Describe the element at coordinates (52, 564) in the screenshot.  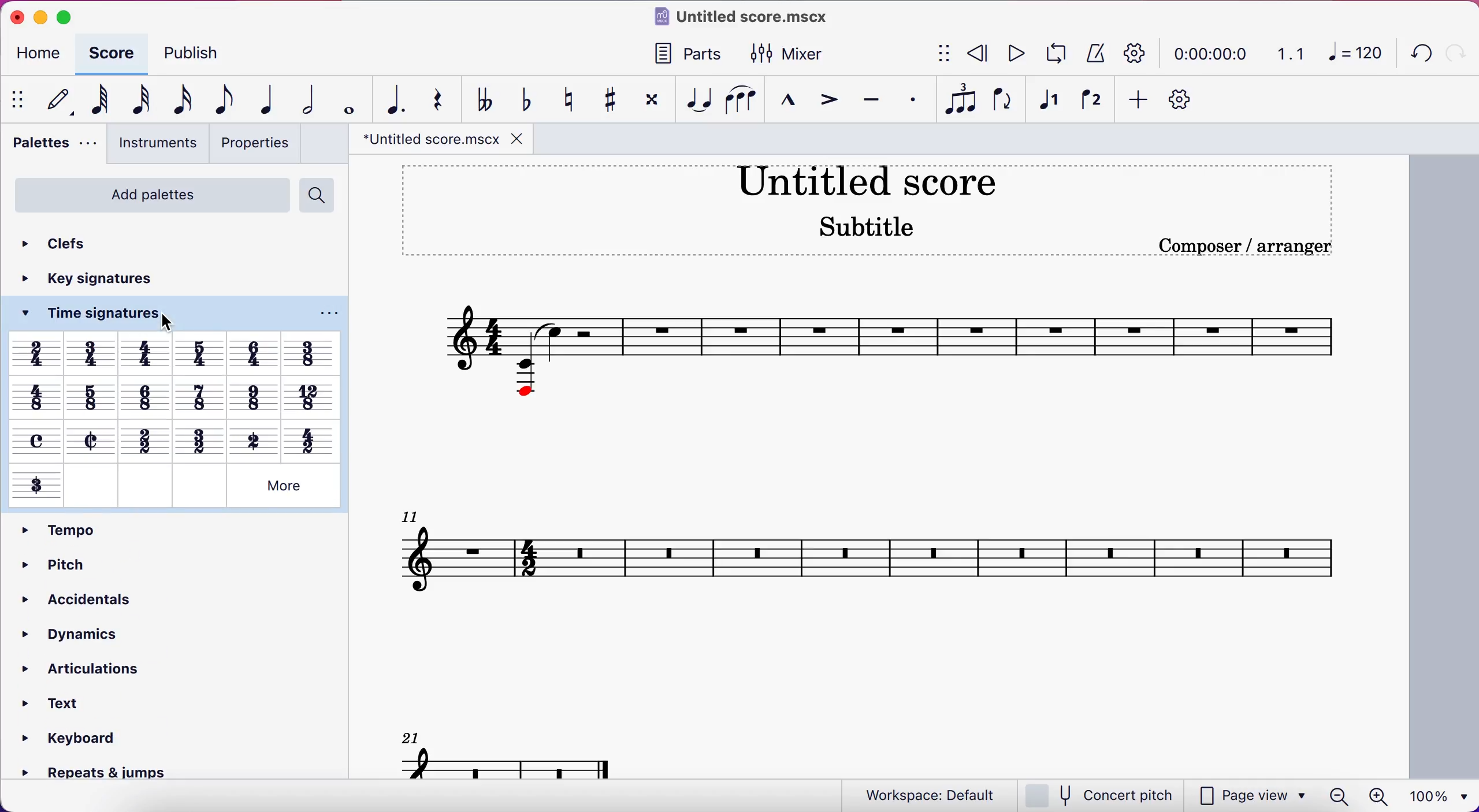
I see `pitch` at that location.